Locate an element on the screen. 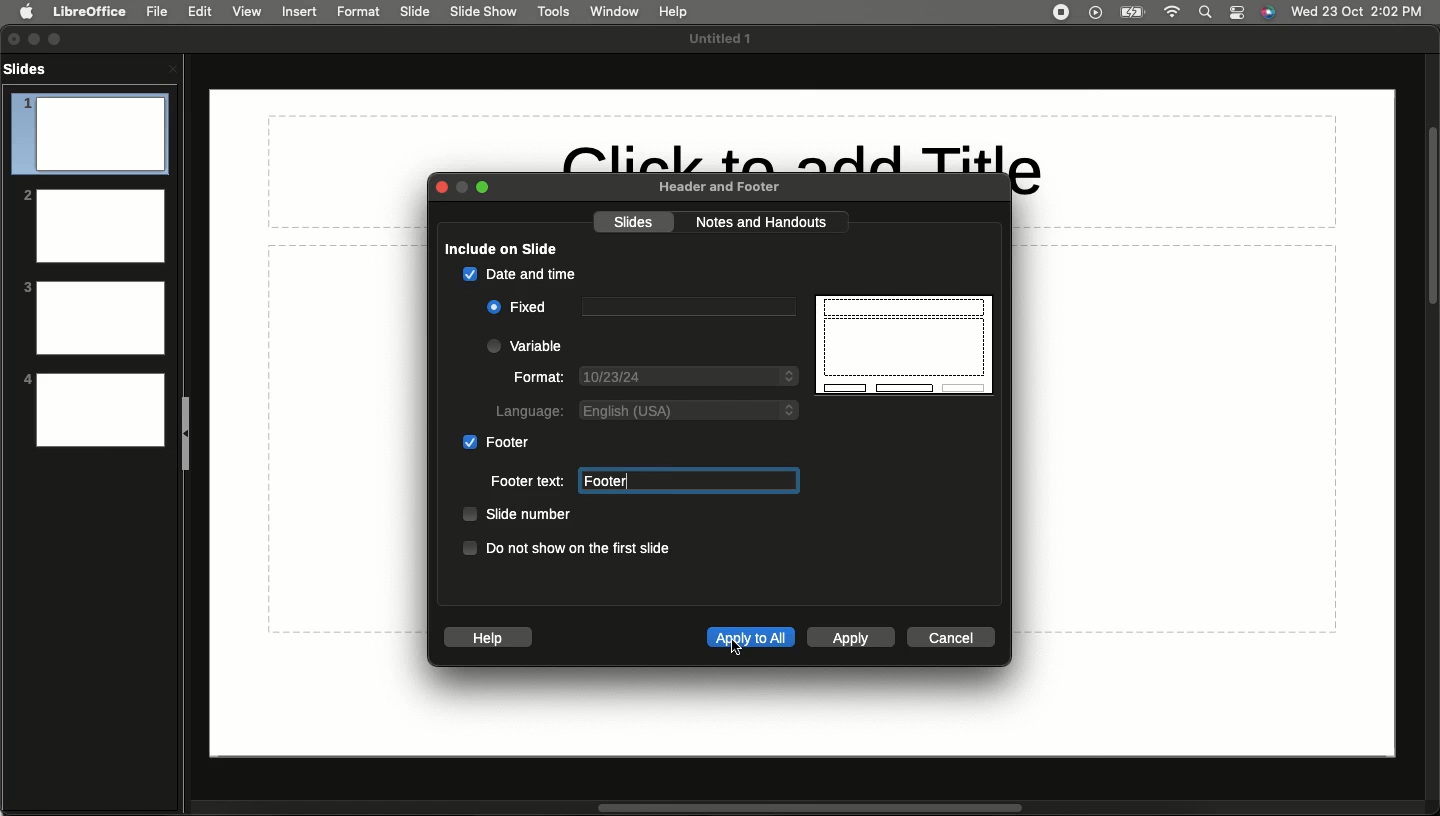 The height and width of the screenshot is (816, 1440). Format is located at coordinates (539, 375).